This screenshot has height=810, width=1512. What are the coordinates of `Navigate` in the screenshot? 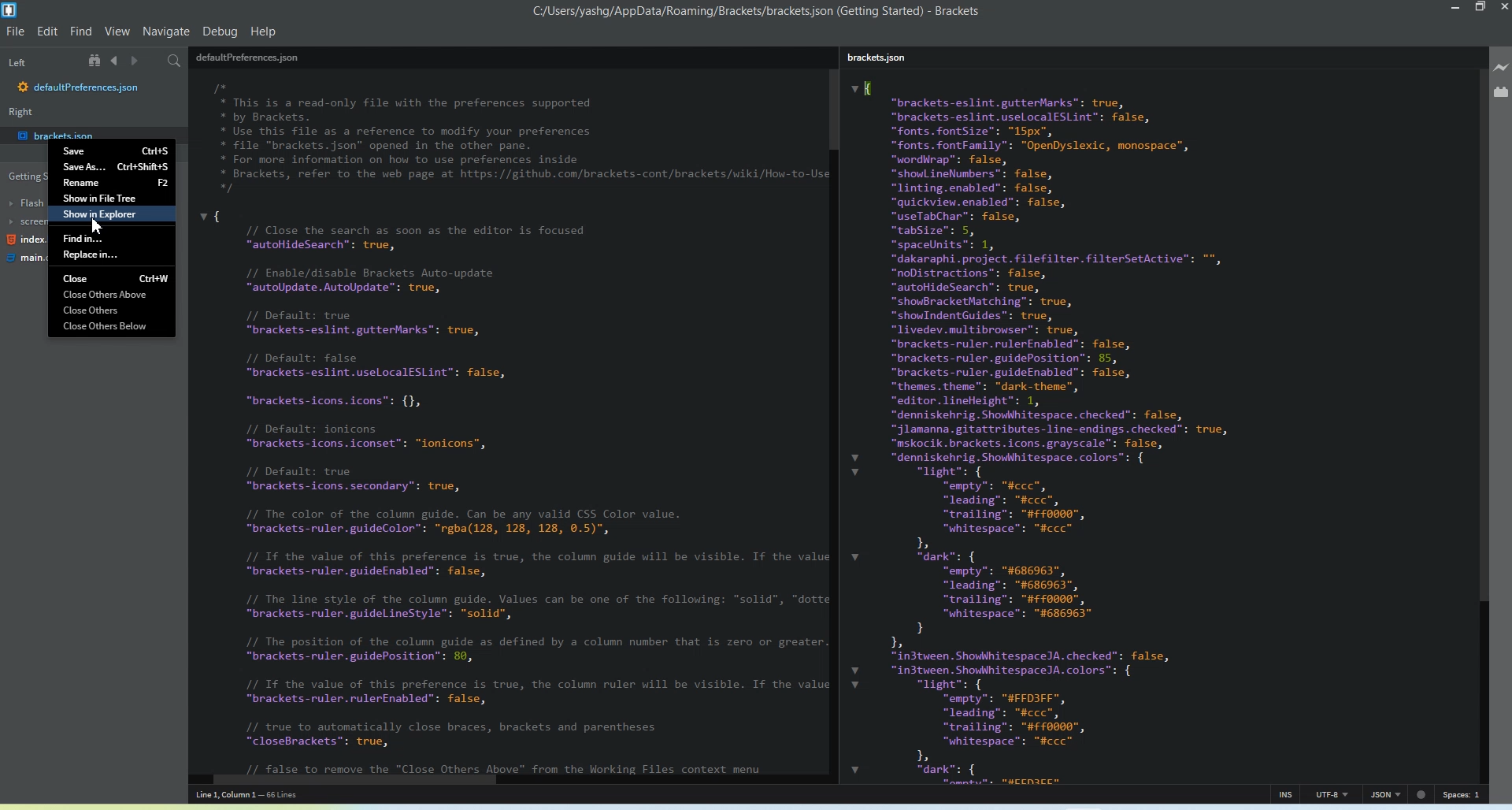 It's located at (166, 32).